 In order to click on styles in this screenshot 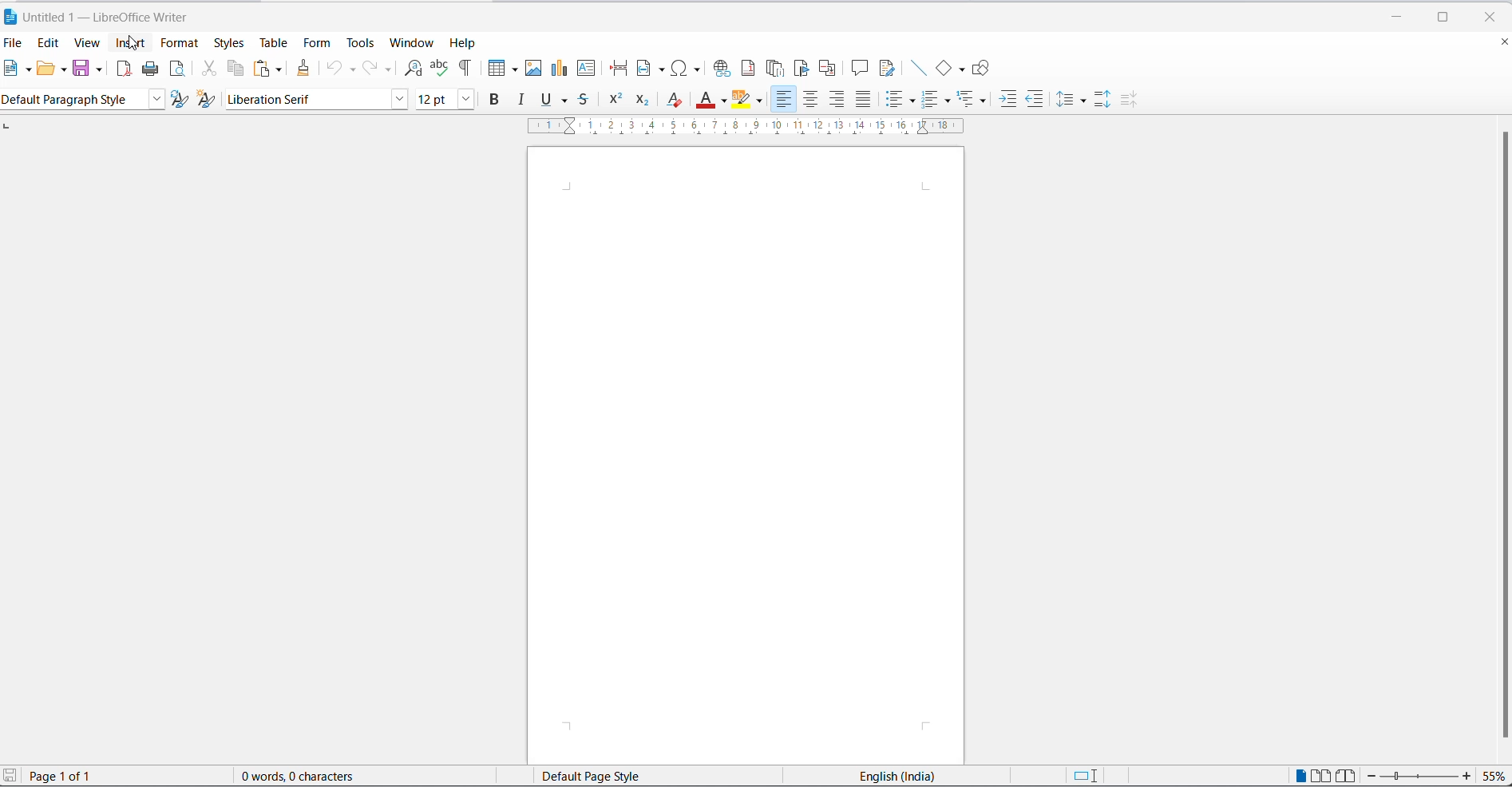, I will do `click(228, 43)`.